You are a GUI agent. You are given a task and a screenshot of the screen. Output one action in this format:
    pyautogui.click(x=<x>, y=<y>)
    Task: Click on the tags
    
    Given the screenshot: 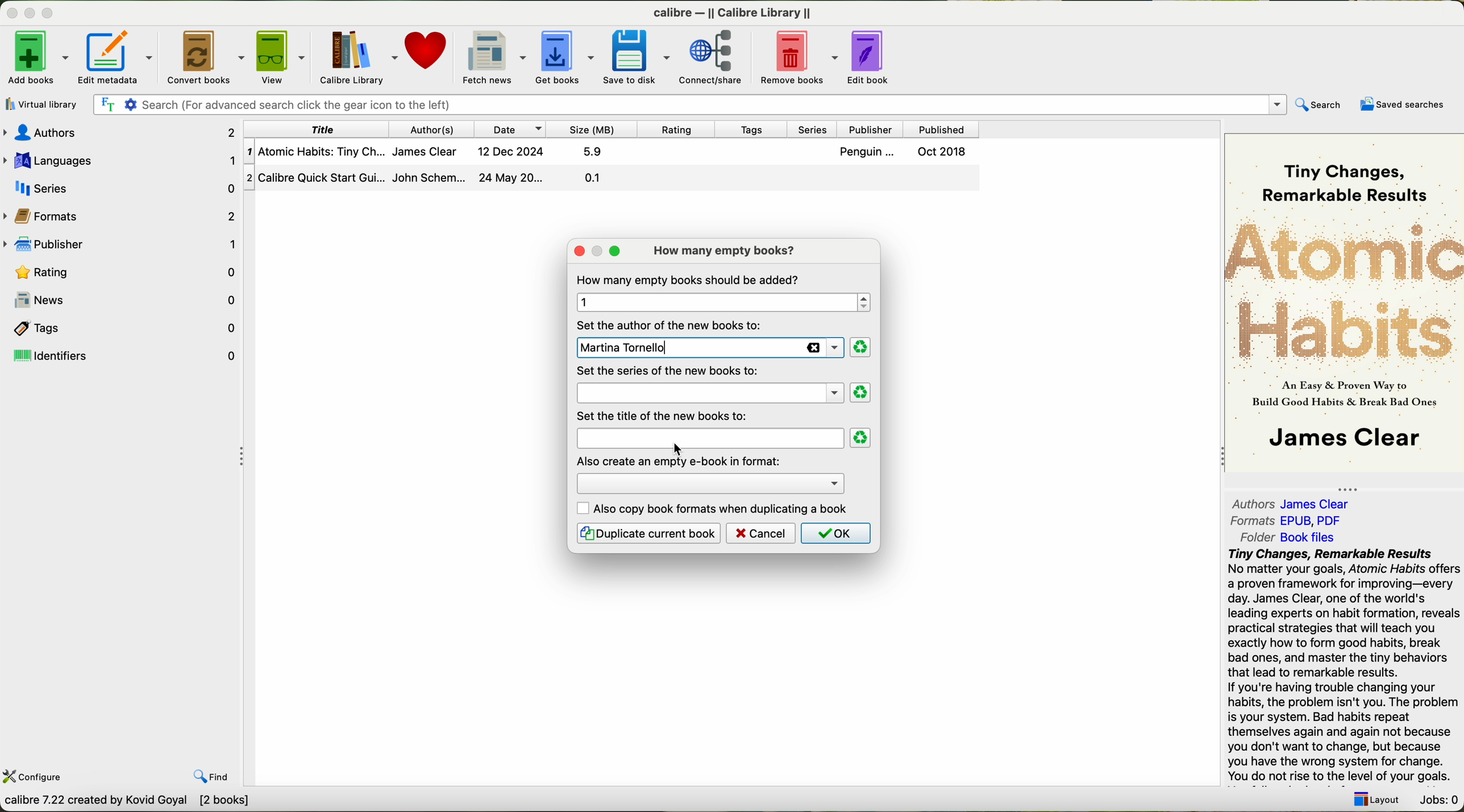 What is the action you would take?
    pyautogui.click(x=759, y=128)
    